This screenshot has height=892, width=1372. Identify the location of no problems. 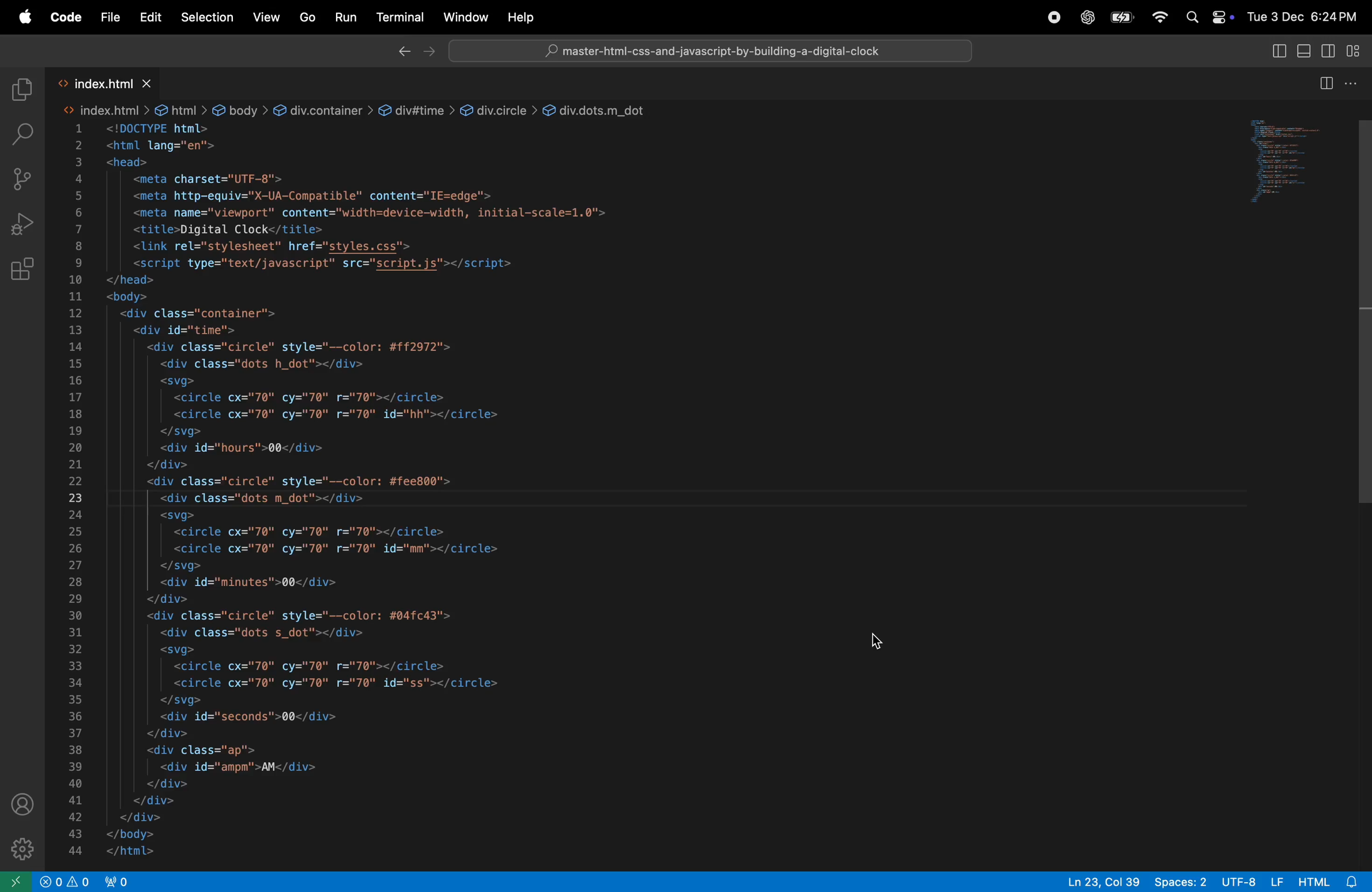
(69, 882).